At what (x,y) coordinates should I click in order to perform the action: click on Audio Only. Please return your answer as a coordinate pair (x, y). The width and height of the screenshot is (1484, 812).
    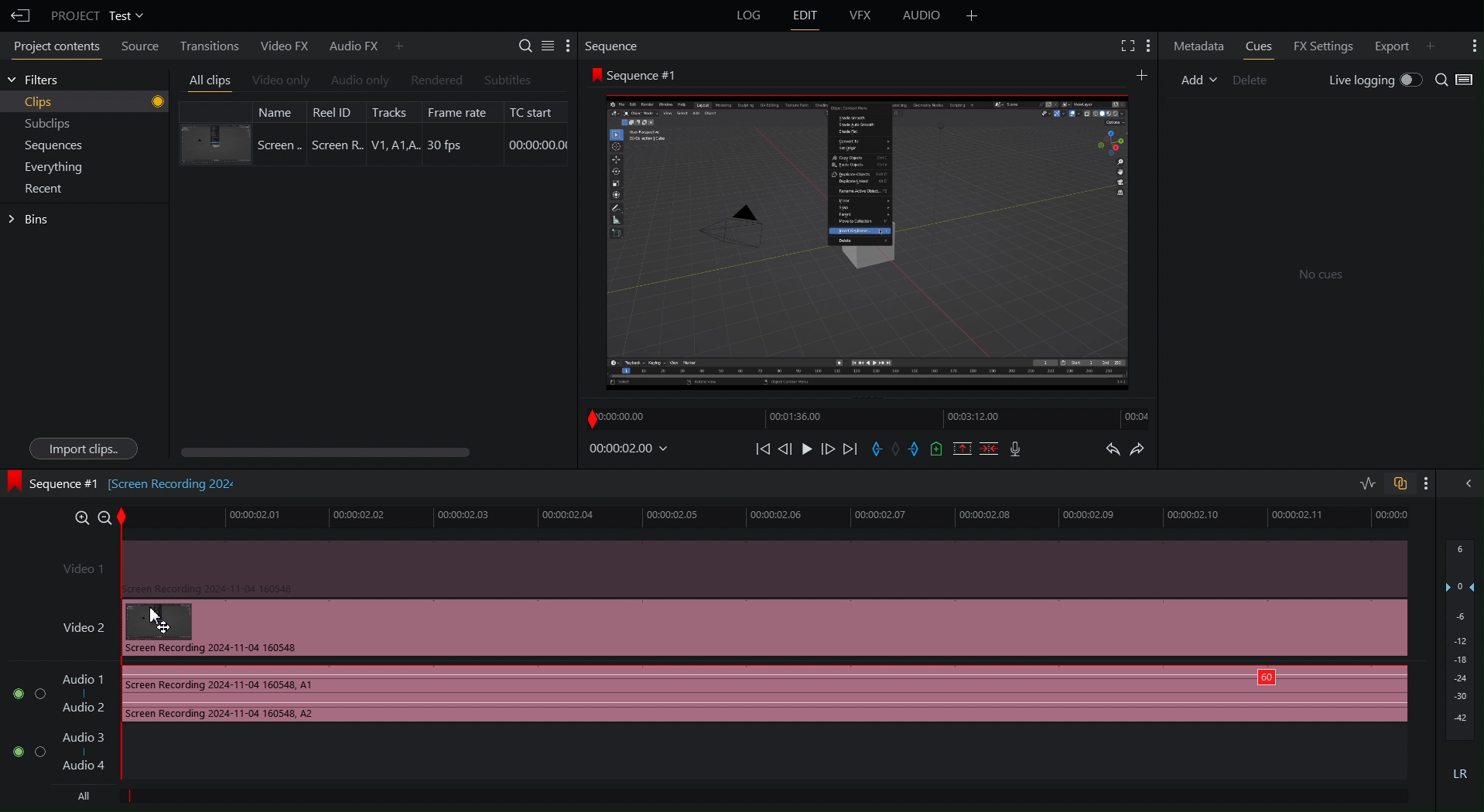
    Looking at the image, I should click on (358, 80).